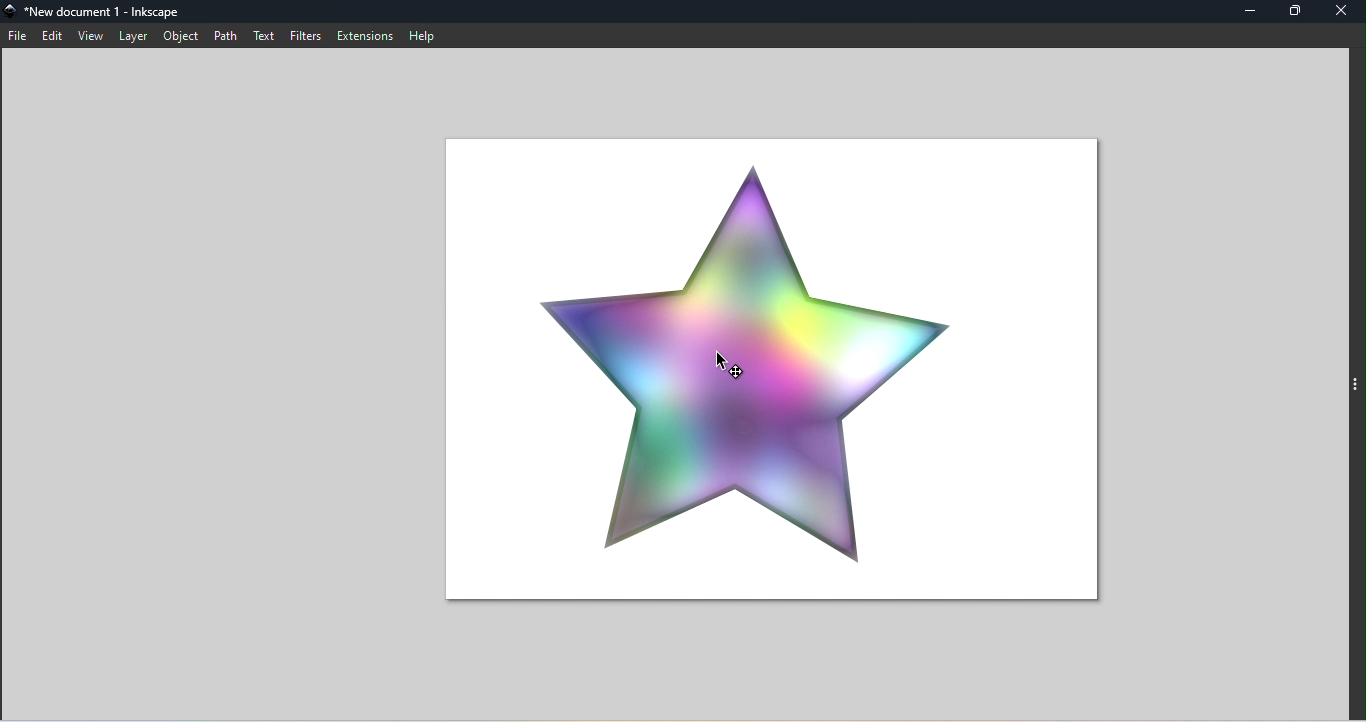 This screenshot has width=1366, height=722. What do you see at coordinates (93, 37) in the screenshot?
I see `View` at bounding box center [93, 37].